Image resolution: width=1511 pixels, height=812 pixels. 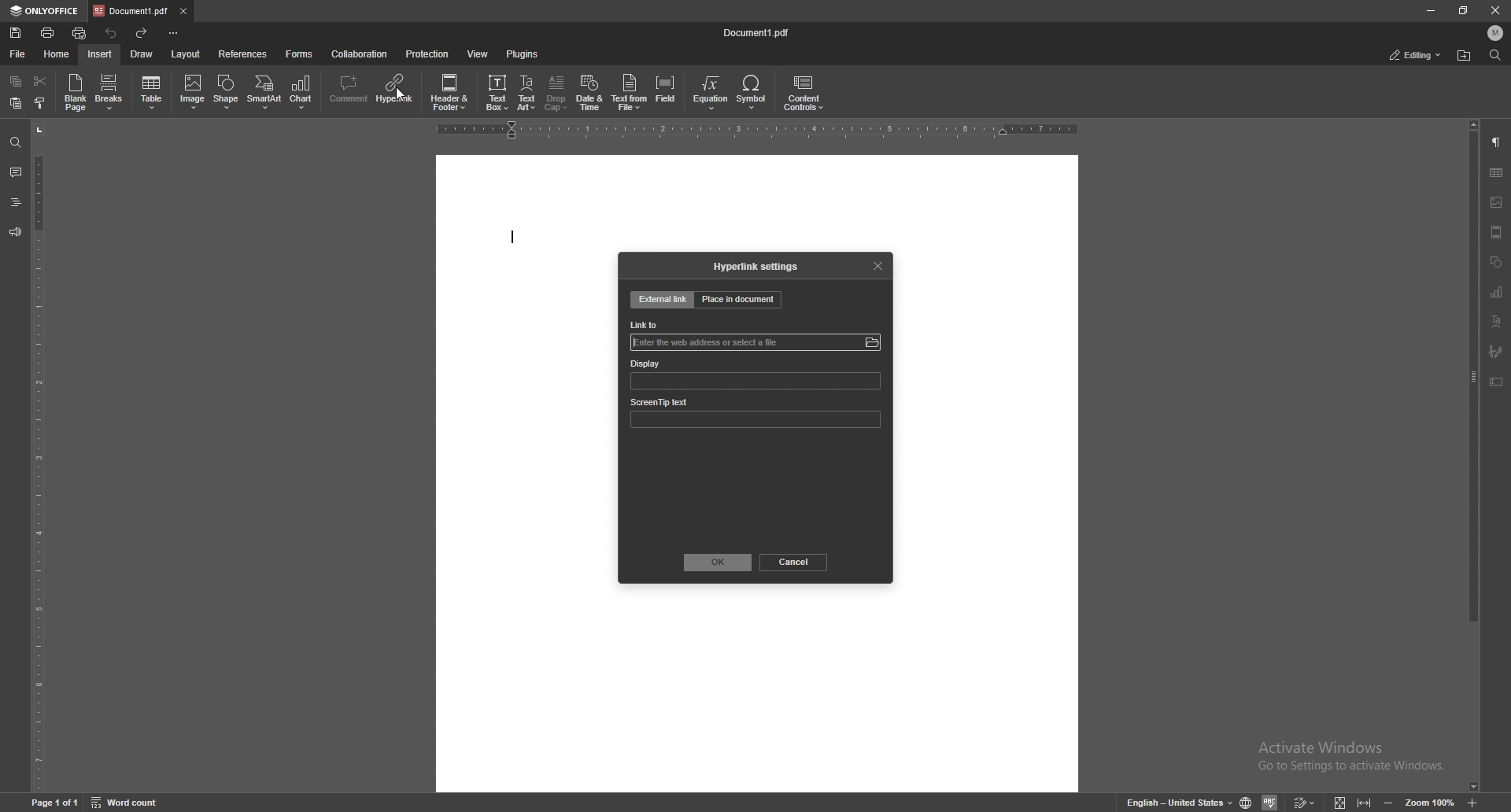 What do you see at coordinates (713, 341) in the screenshot?
I see `input` at bounding box center [713, 341].